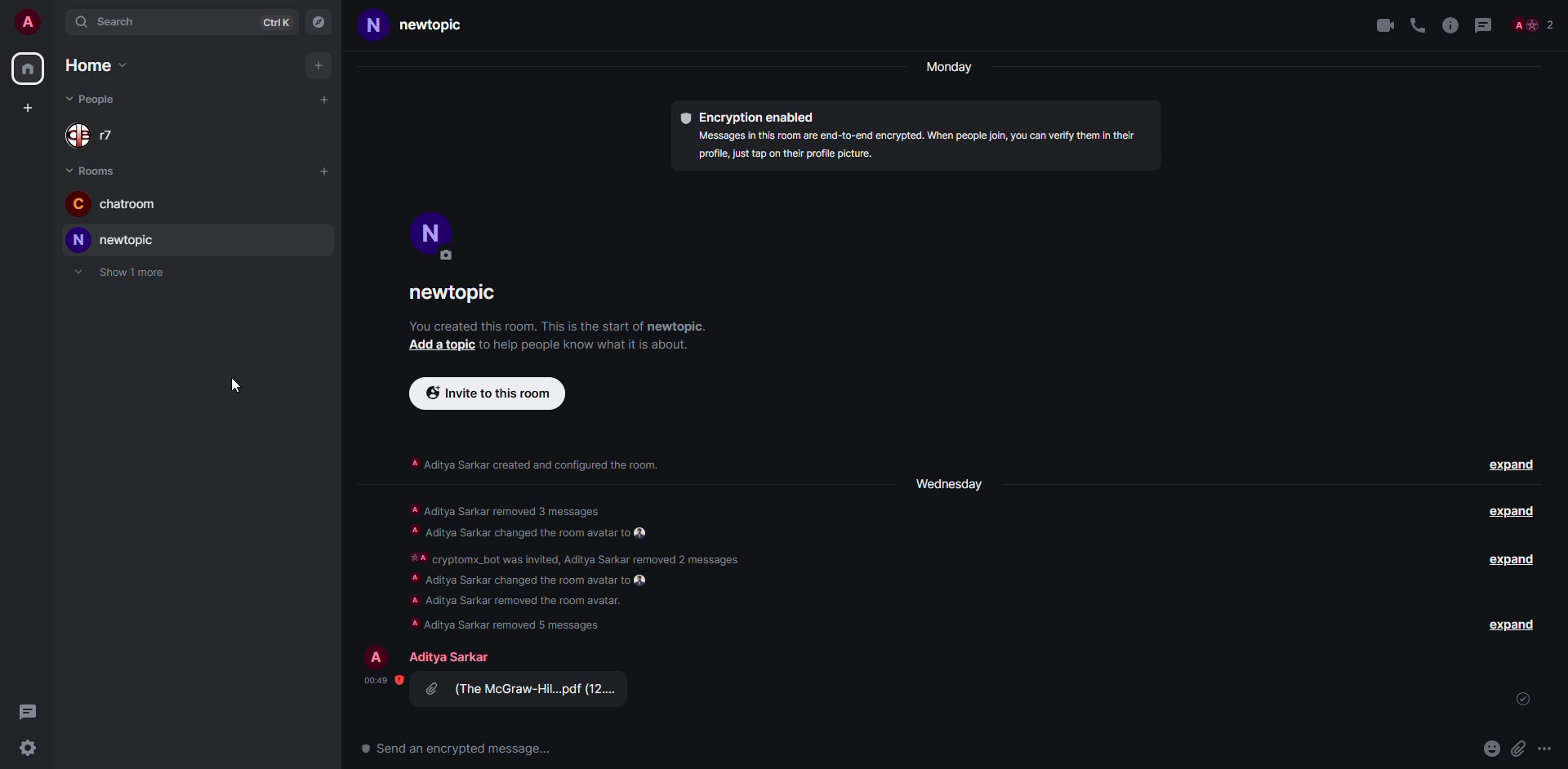 The height and width of the screenshot is (769, 1568). I want to click on expand, so click(1512, 624).